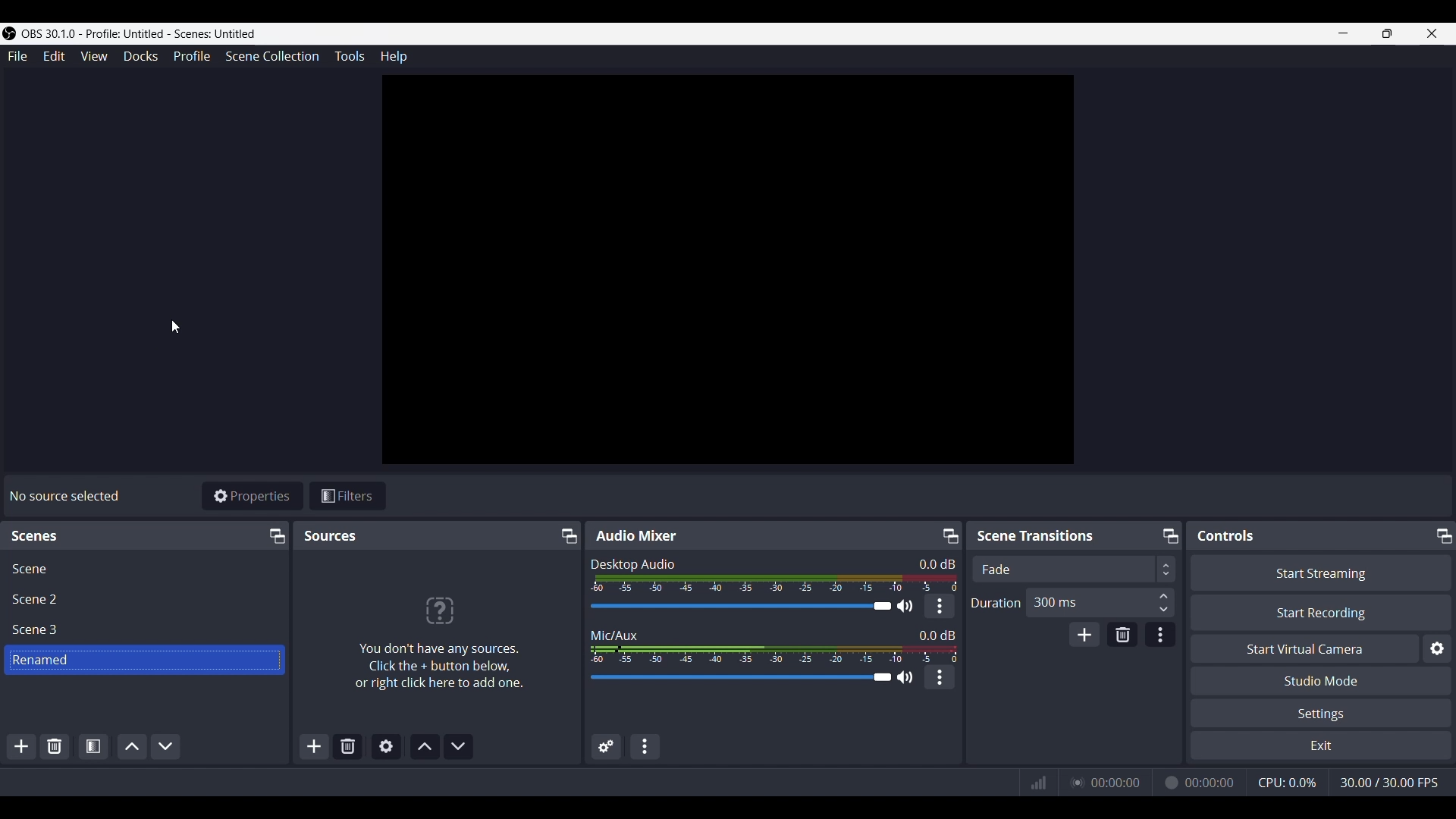 The image size is (1456, 819). What do you see at coordinates (1169, 535) in the screenshot?
I see ` Undock/Pop-out icon` at bounding box center [1169, 535].